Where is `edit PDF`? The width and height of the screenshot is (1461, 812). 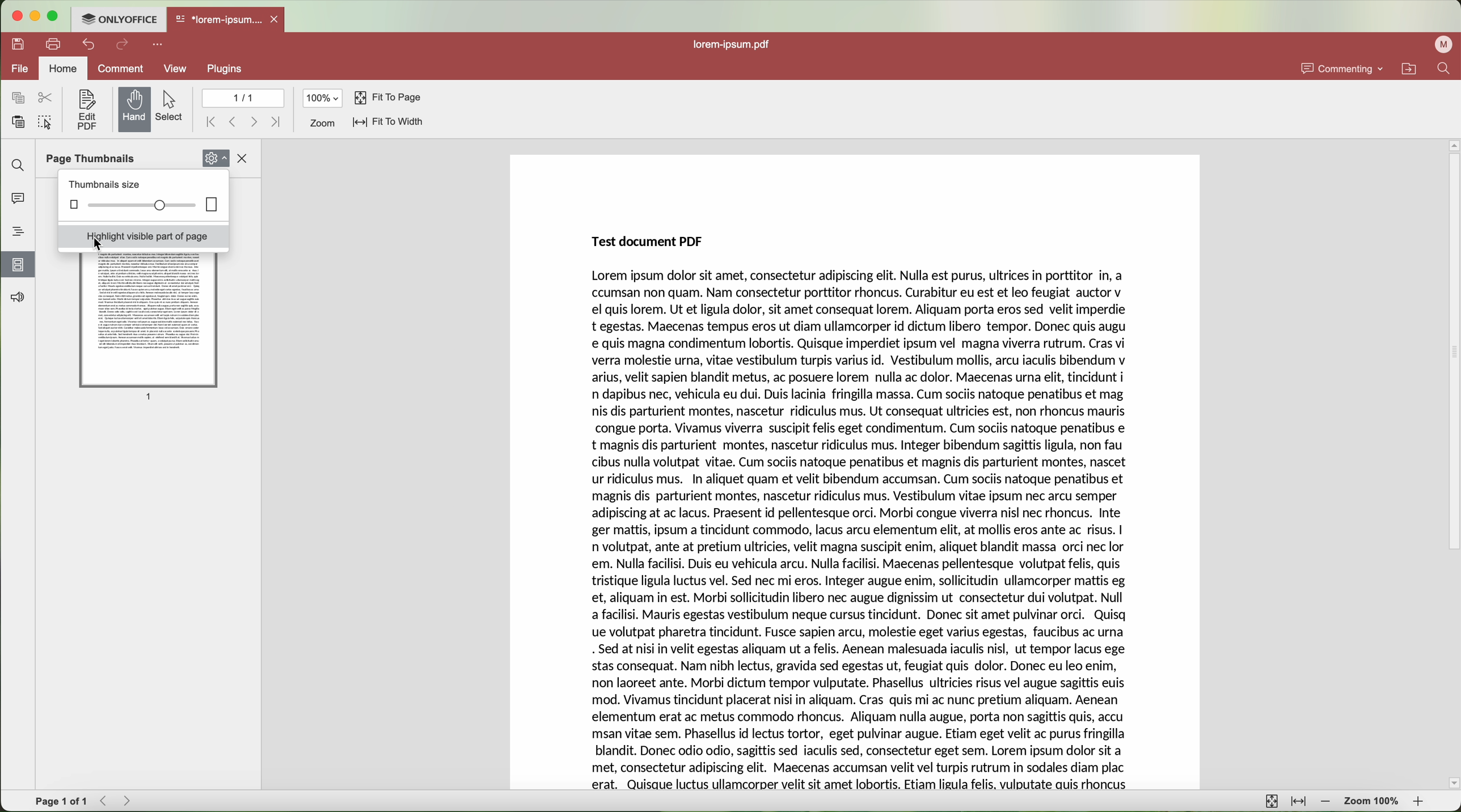 edit PDF is located at coordinates (85, 109).